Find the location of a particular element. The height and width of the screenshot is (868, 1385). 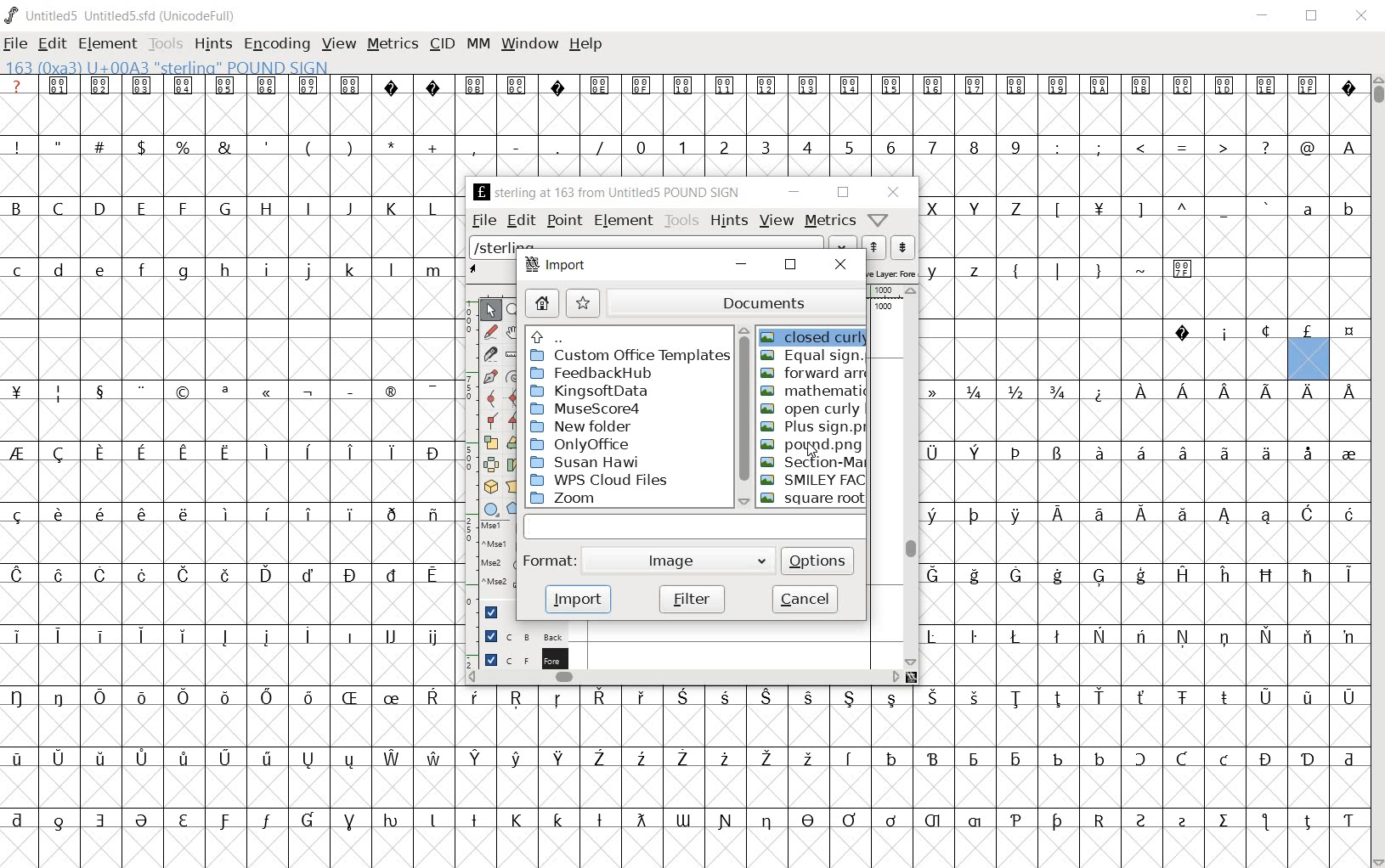

Symbol is located at coordinates (308, 637).